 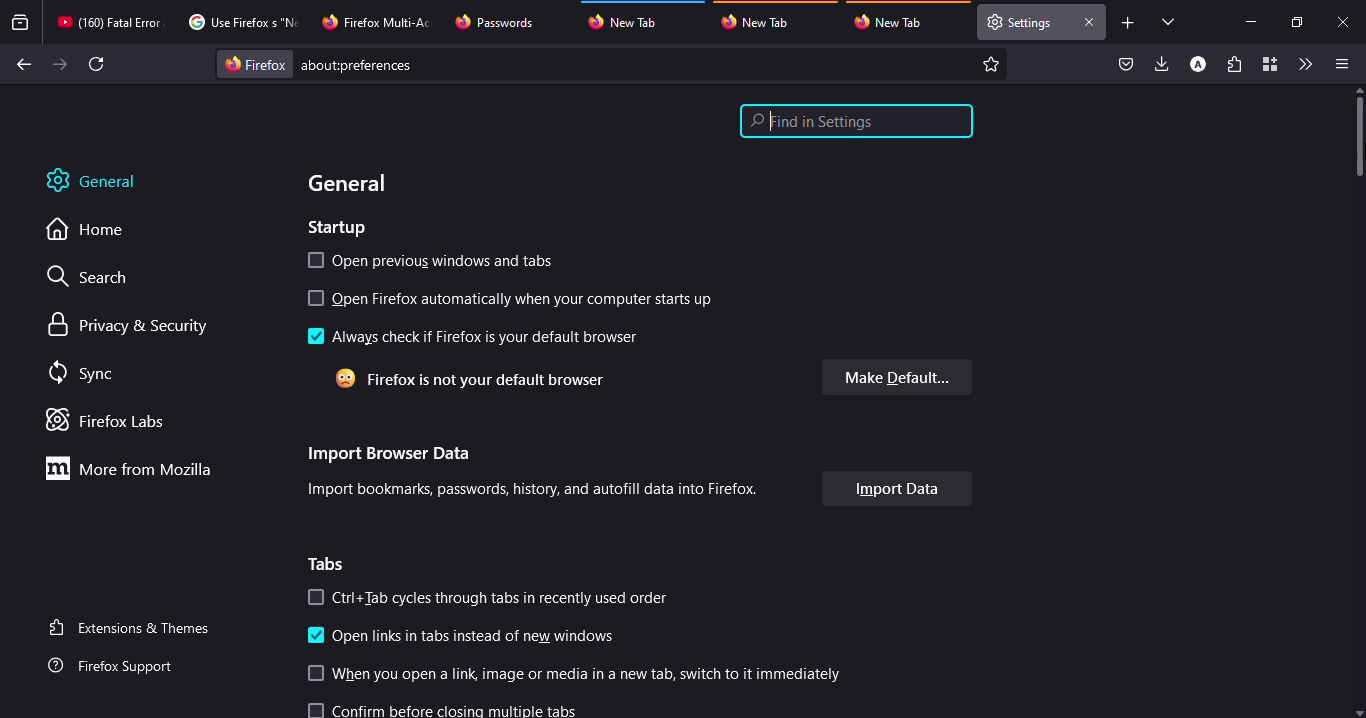 I want to click on select, so click(x=318, y=709).